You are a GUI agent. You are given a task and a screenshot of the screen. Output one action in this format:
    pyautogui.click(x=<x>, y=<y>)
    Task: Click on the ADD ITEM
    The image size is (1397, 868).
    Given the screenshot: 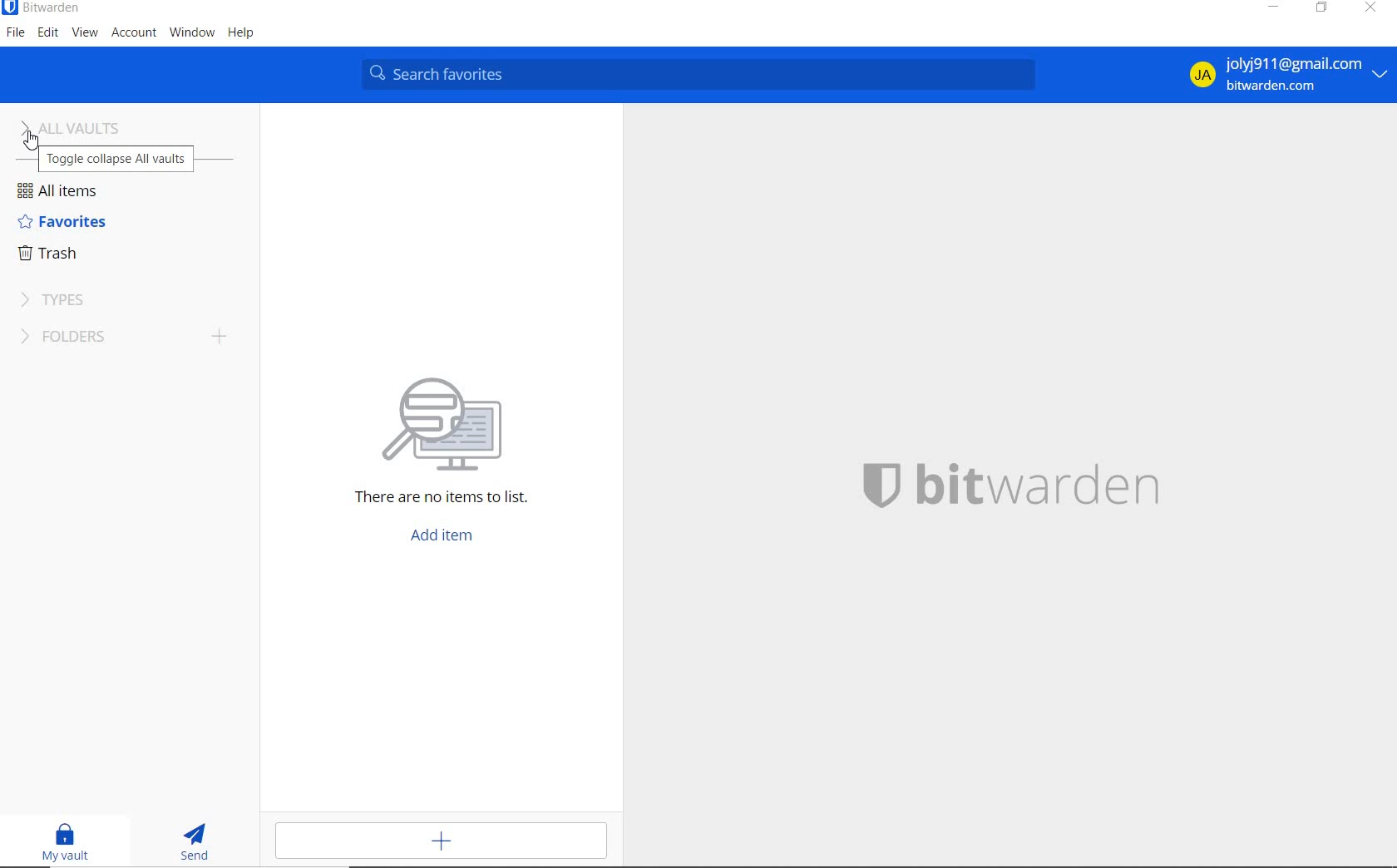 What is the action you would take?
    pyautogui.click(x=446, y=841)
    